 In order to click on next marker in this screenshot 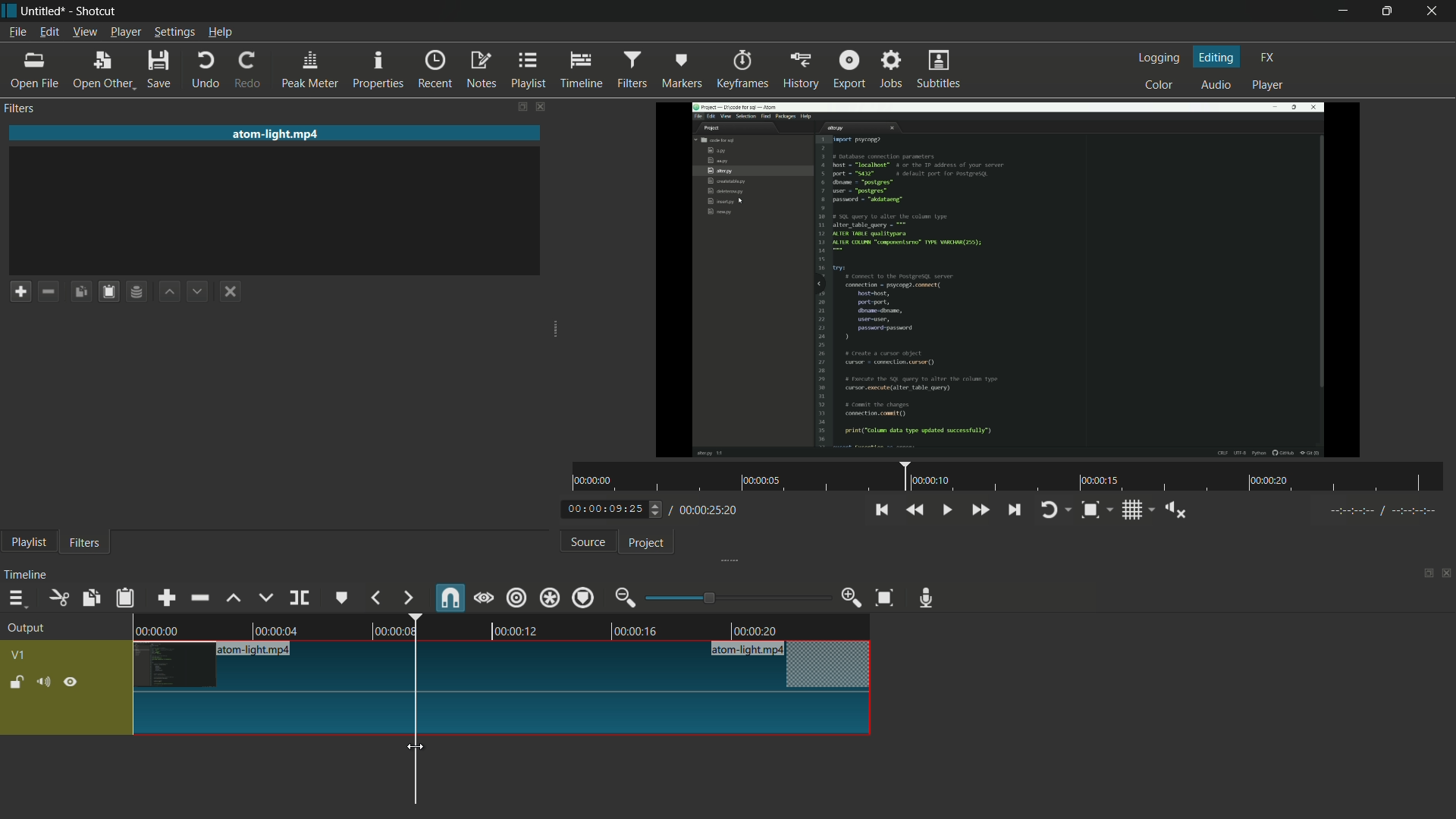, I will do `click(407, 598)`.